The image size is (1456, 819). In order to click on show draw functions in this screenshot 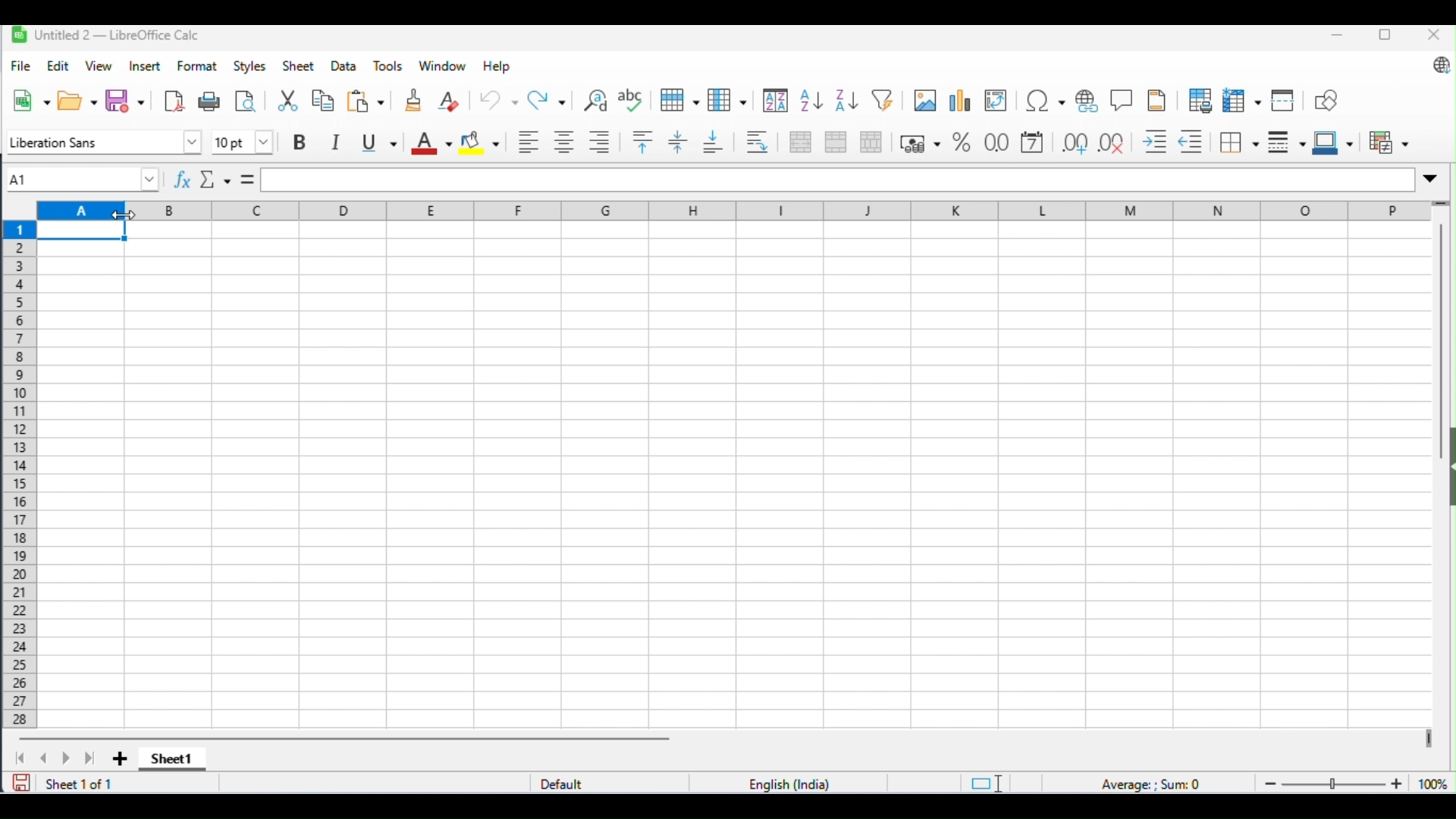, I will do `click(1326, 99)`.